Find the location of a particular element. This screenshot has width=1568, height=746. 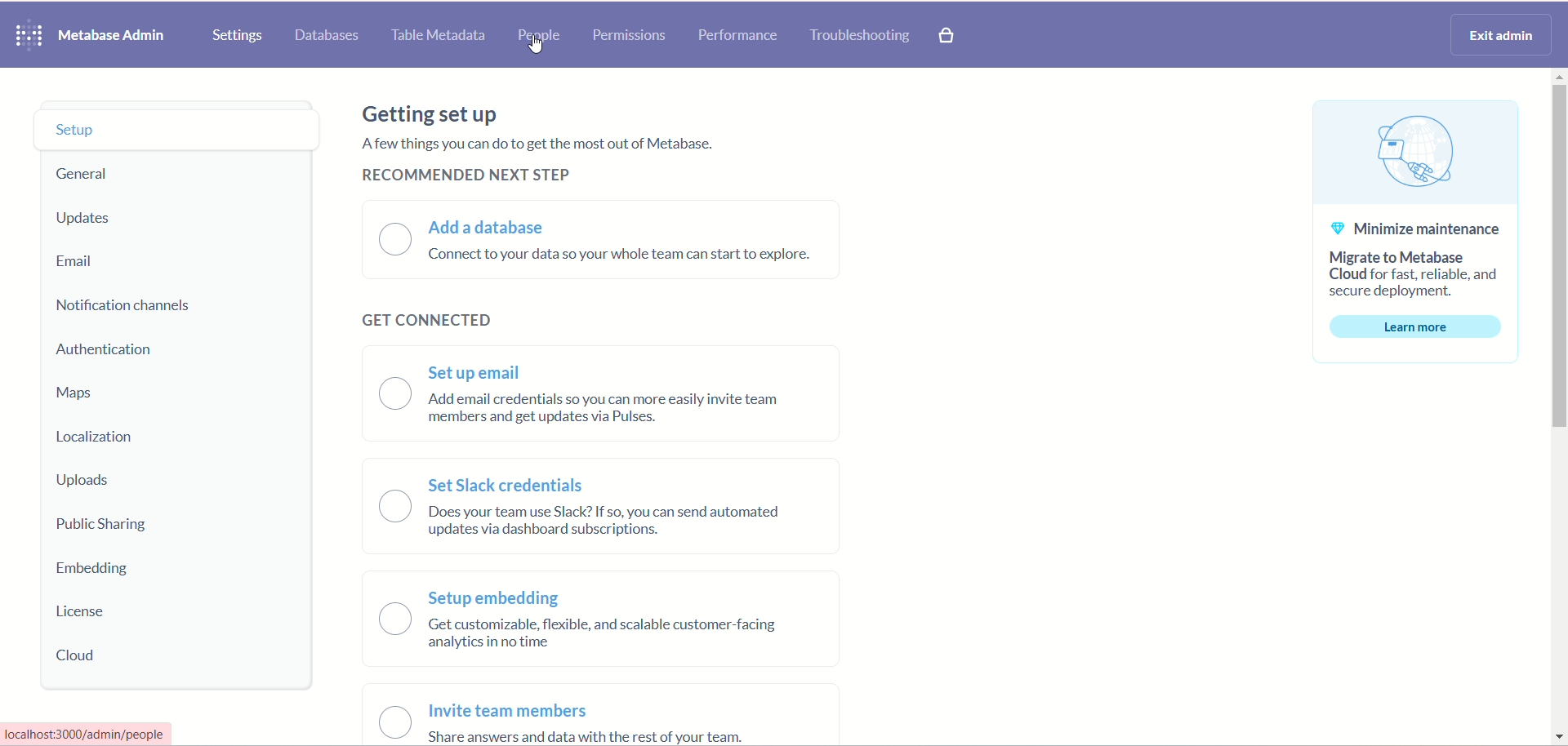

setup is located at coordinates (177, 129).